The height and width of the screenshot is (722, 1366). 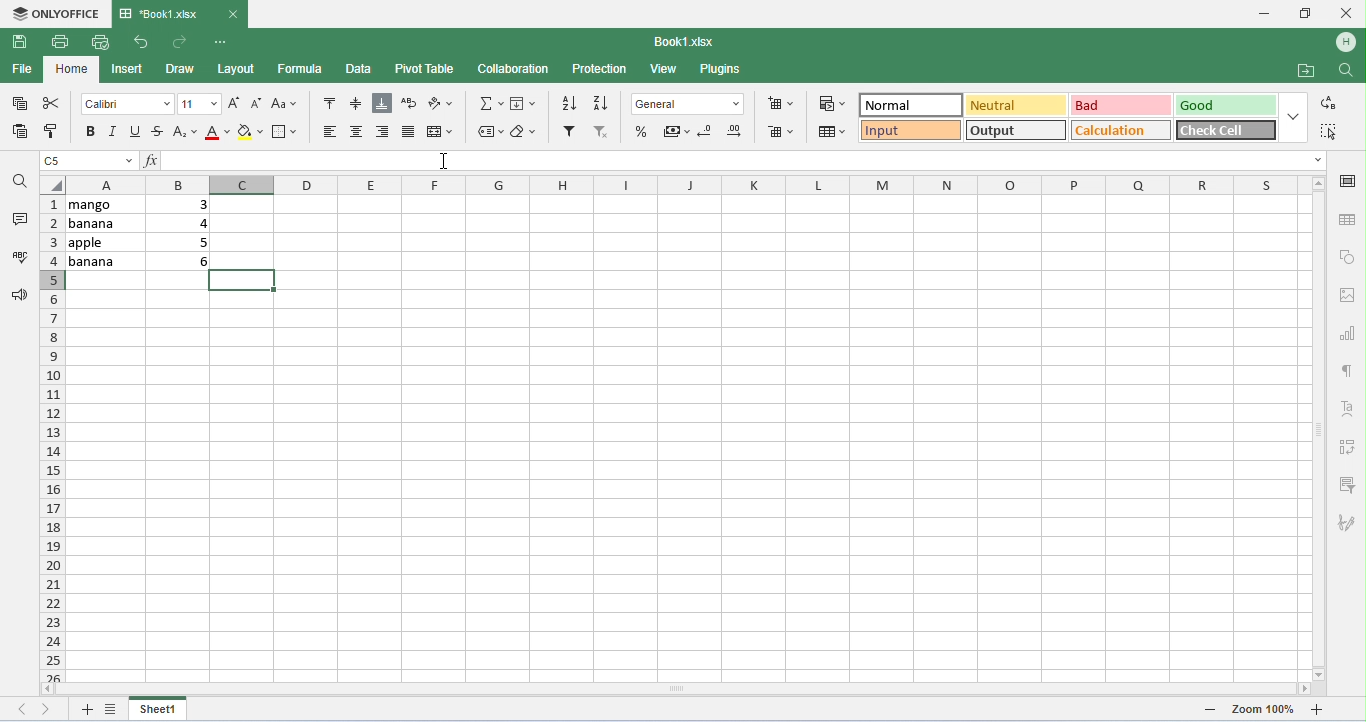 What do you see at coordinates (199, 104) in the screenshot?
I see `font size` at bounding box center [199, 104].